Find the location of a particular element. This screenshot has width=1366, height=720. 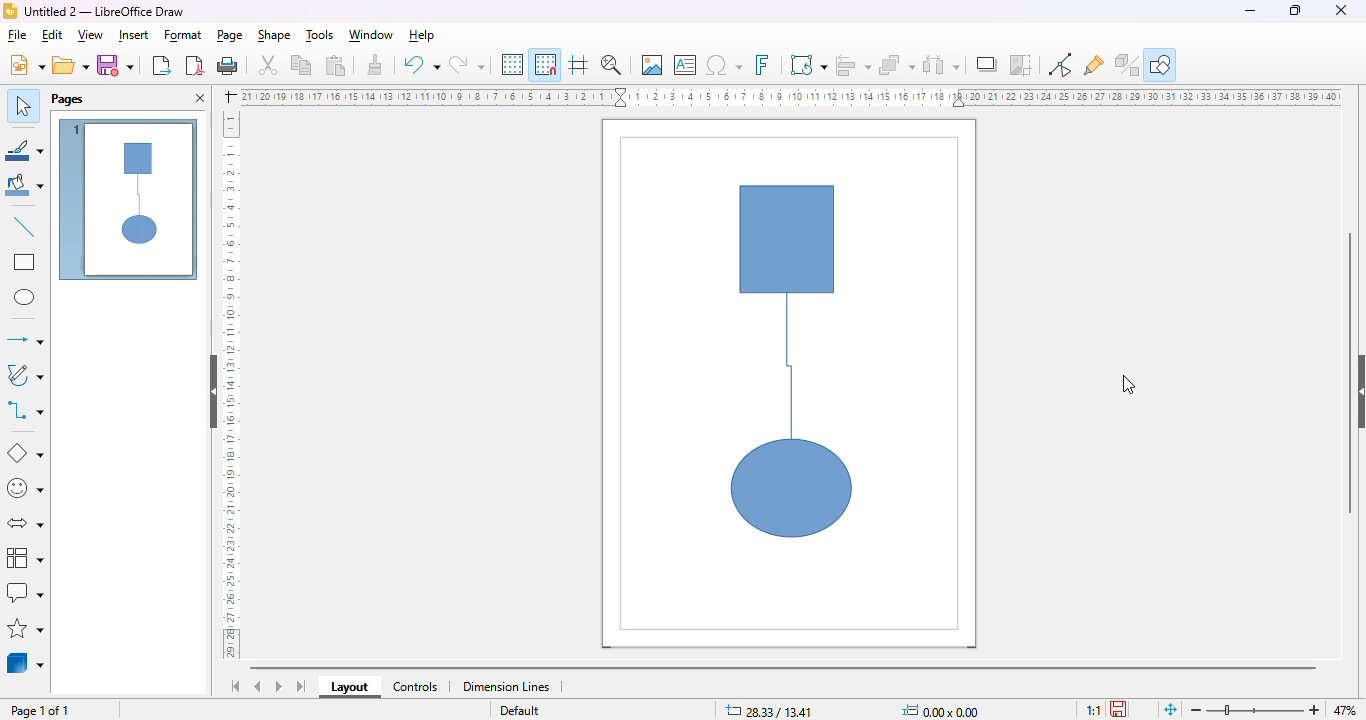

ruler is located at coordinates (791, 96).